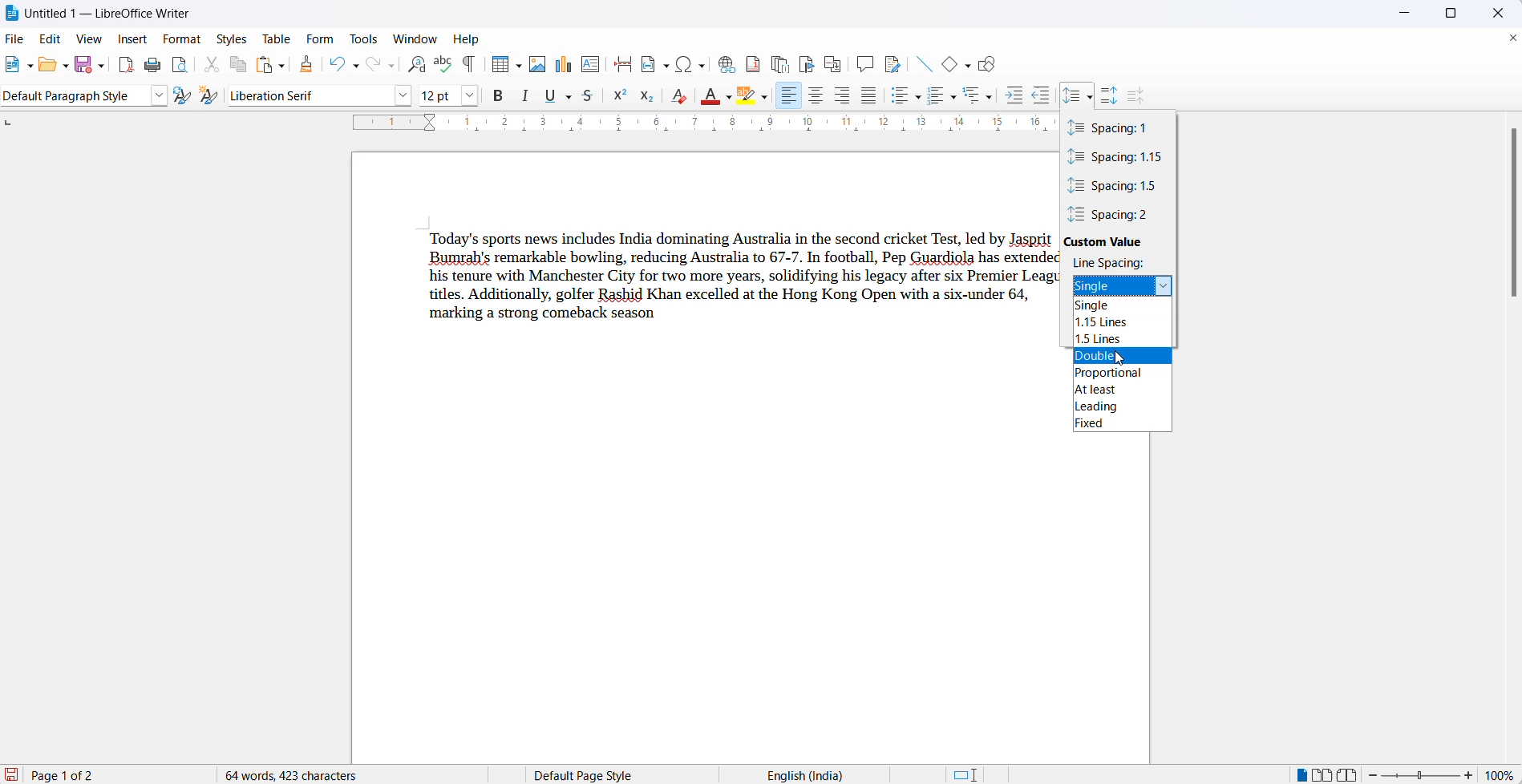 Image resolution: width=1522 pixels, height=784 pixels. Describe the element at coordinates (14, 38) in the screenshot. I see `file` at that location.